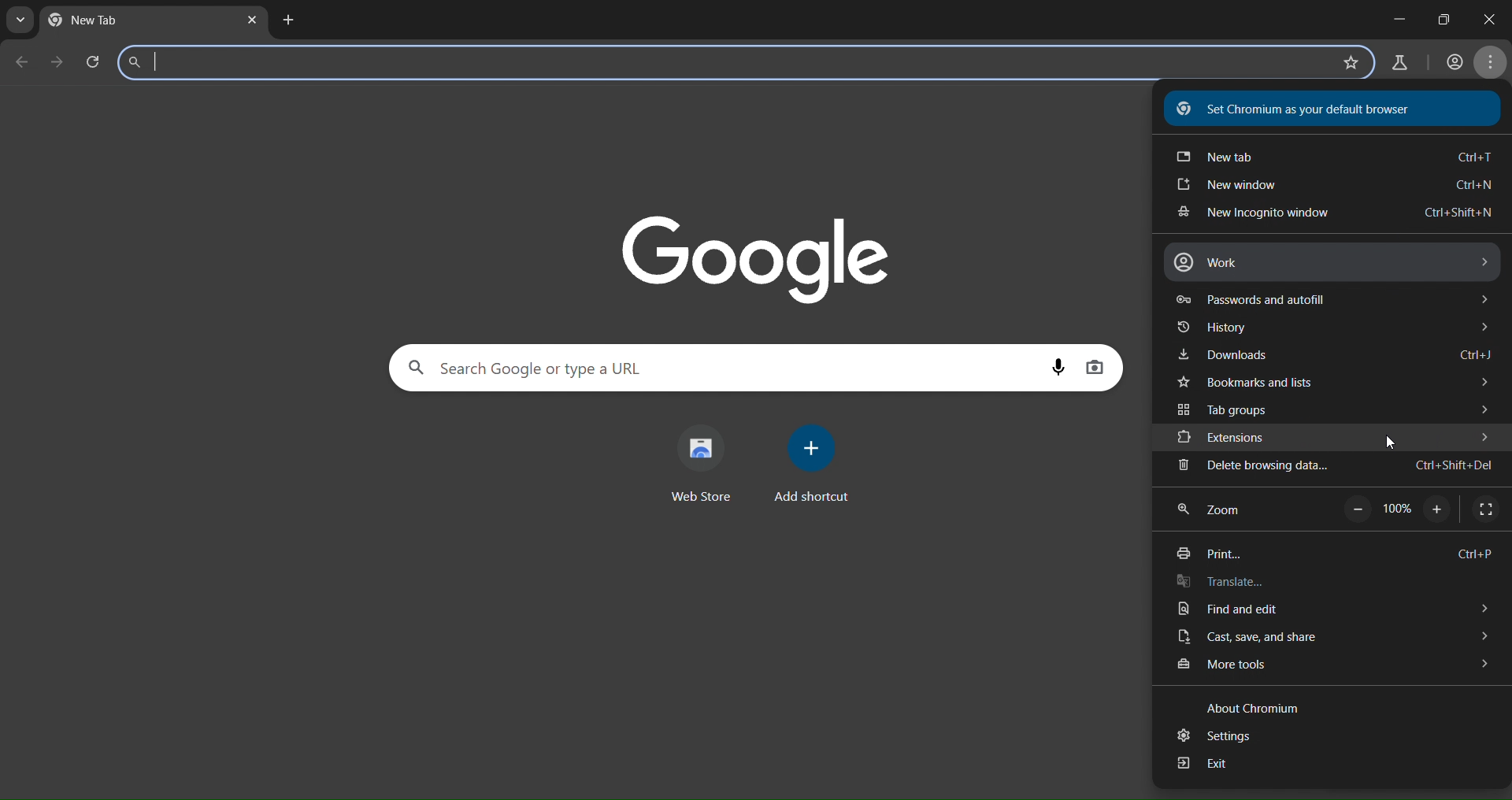 Image resolution: width=1512 pixels, height=800 pixels. Describe the element at coordinates (817, 467) in the screenshot. I see `add shortcut` at that location.